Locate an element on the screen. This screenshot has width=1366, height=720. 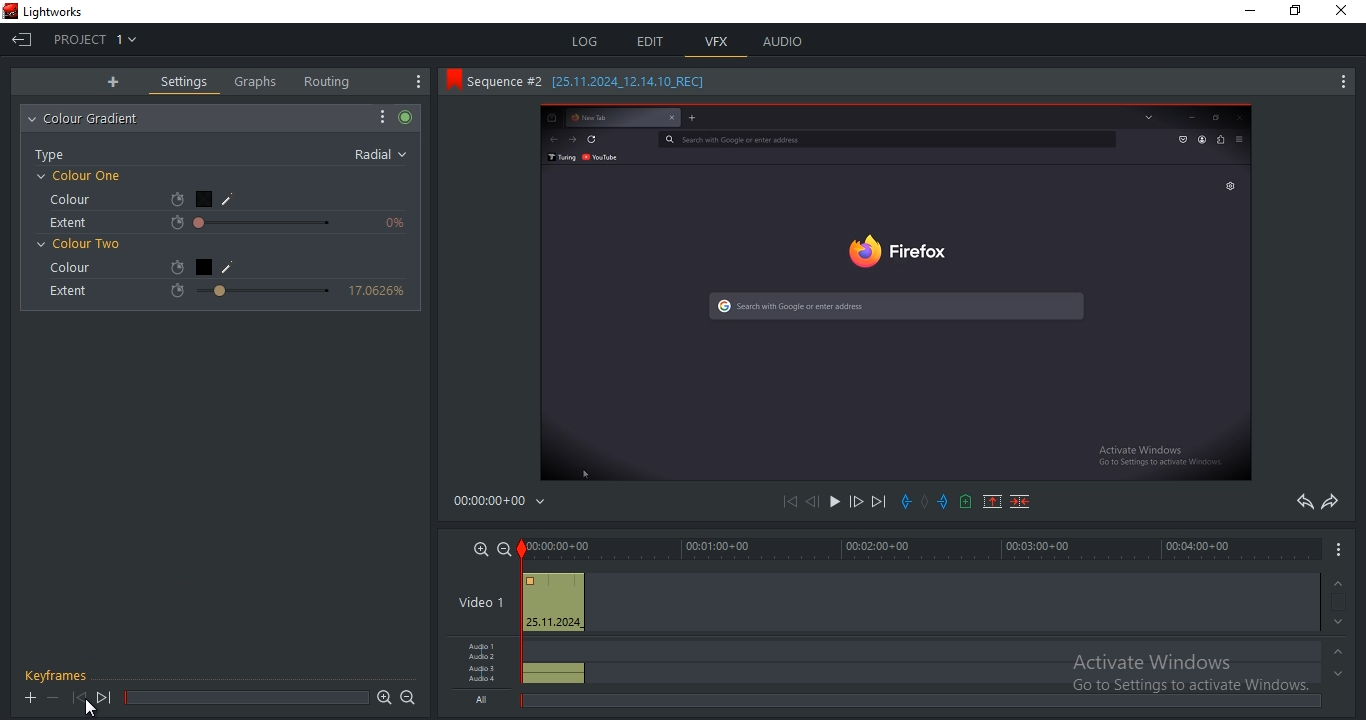
jump to next frame is located at coordinates (103, 698).